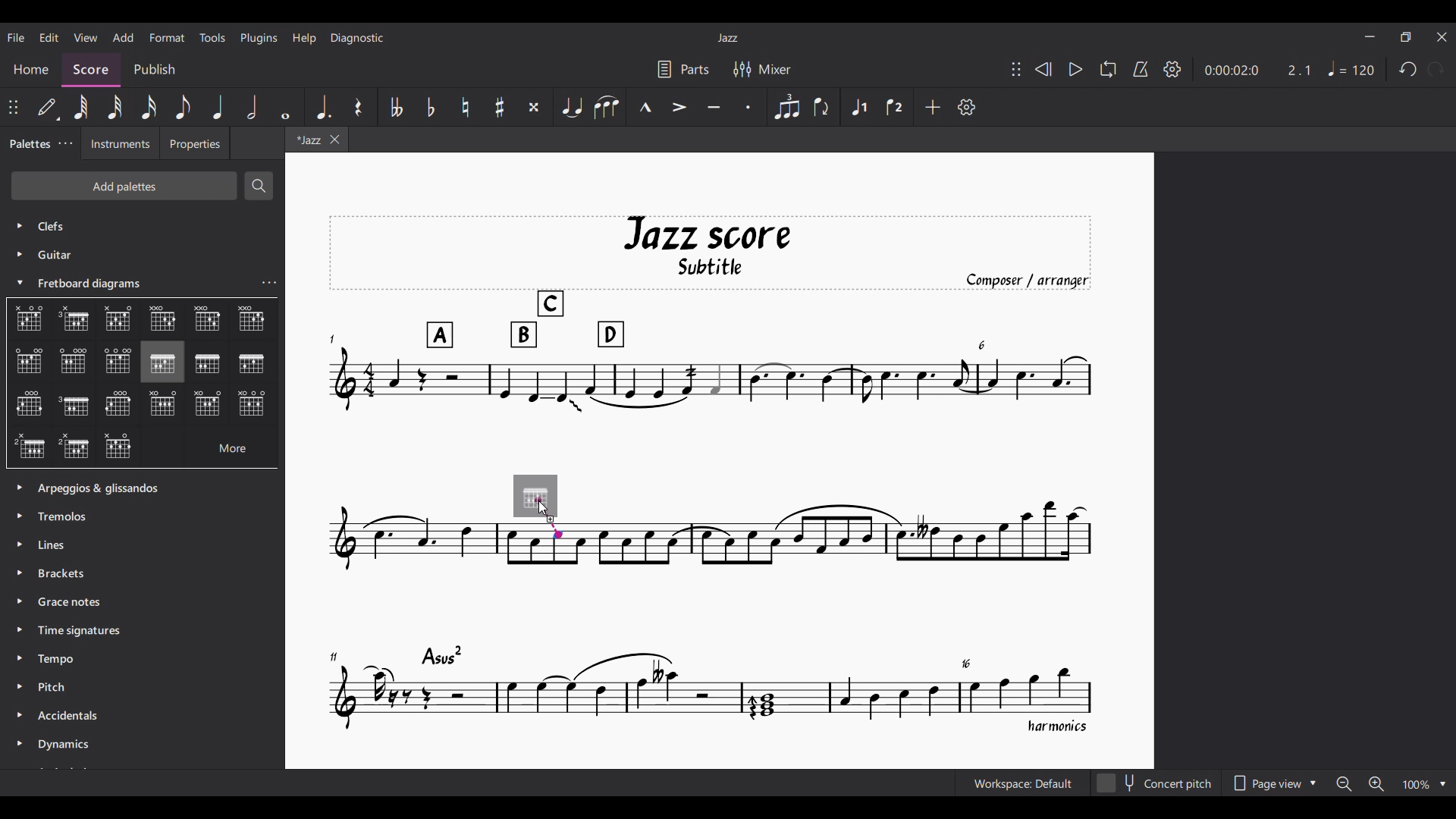  I want to click on Add, so click(933, 107).